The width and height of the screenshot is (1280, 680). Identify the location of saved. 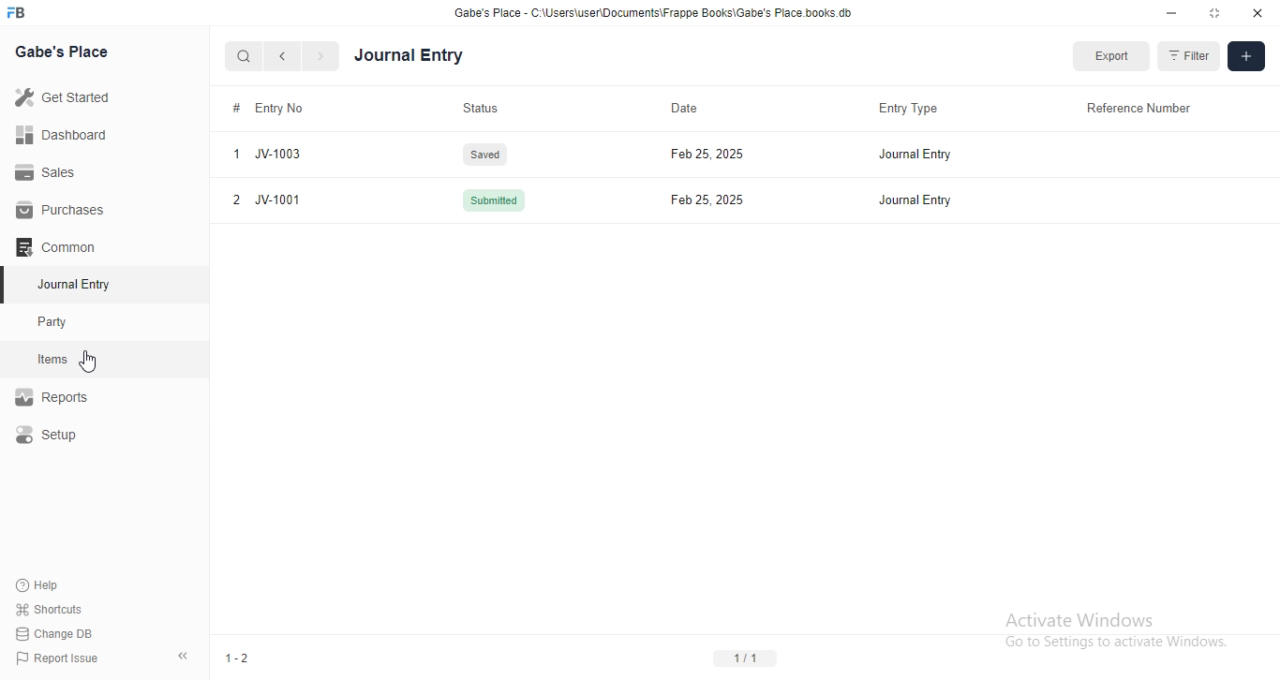
(490, 154).